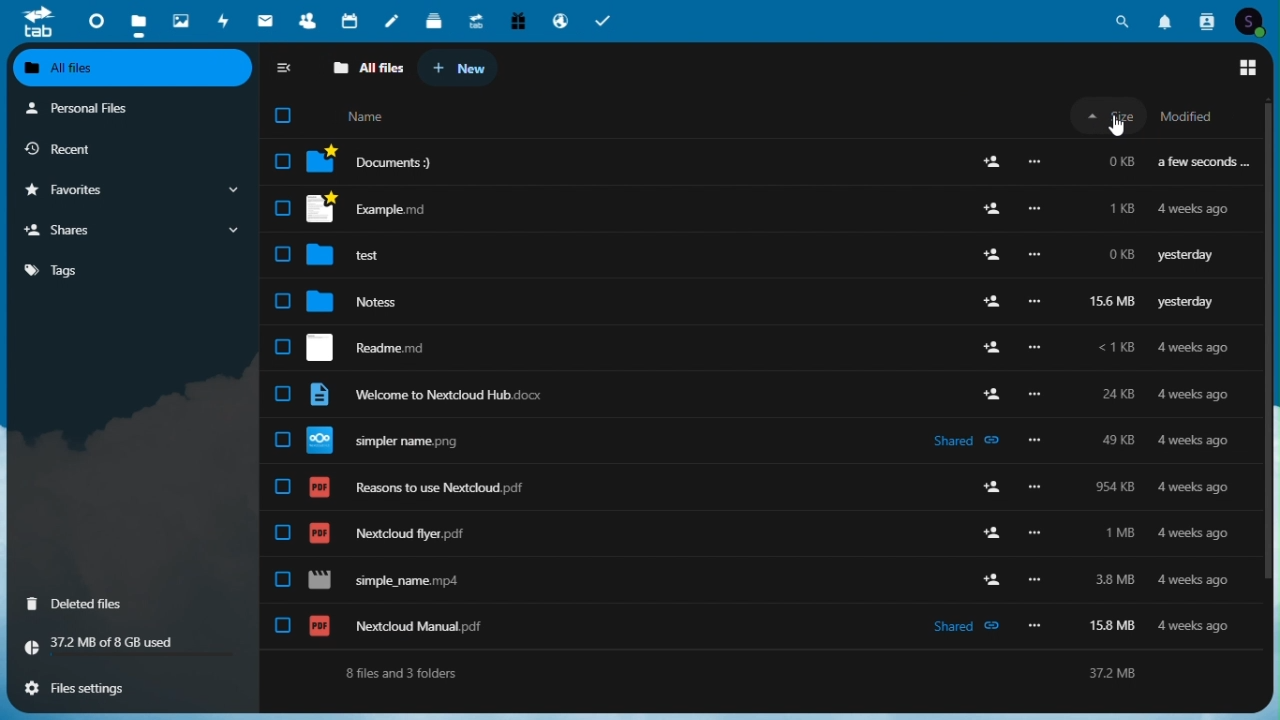  Describe the element at coordinates (604, 18) in the screenshot. I see `Tasks` at that location.